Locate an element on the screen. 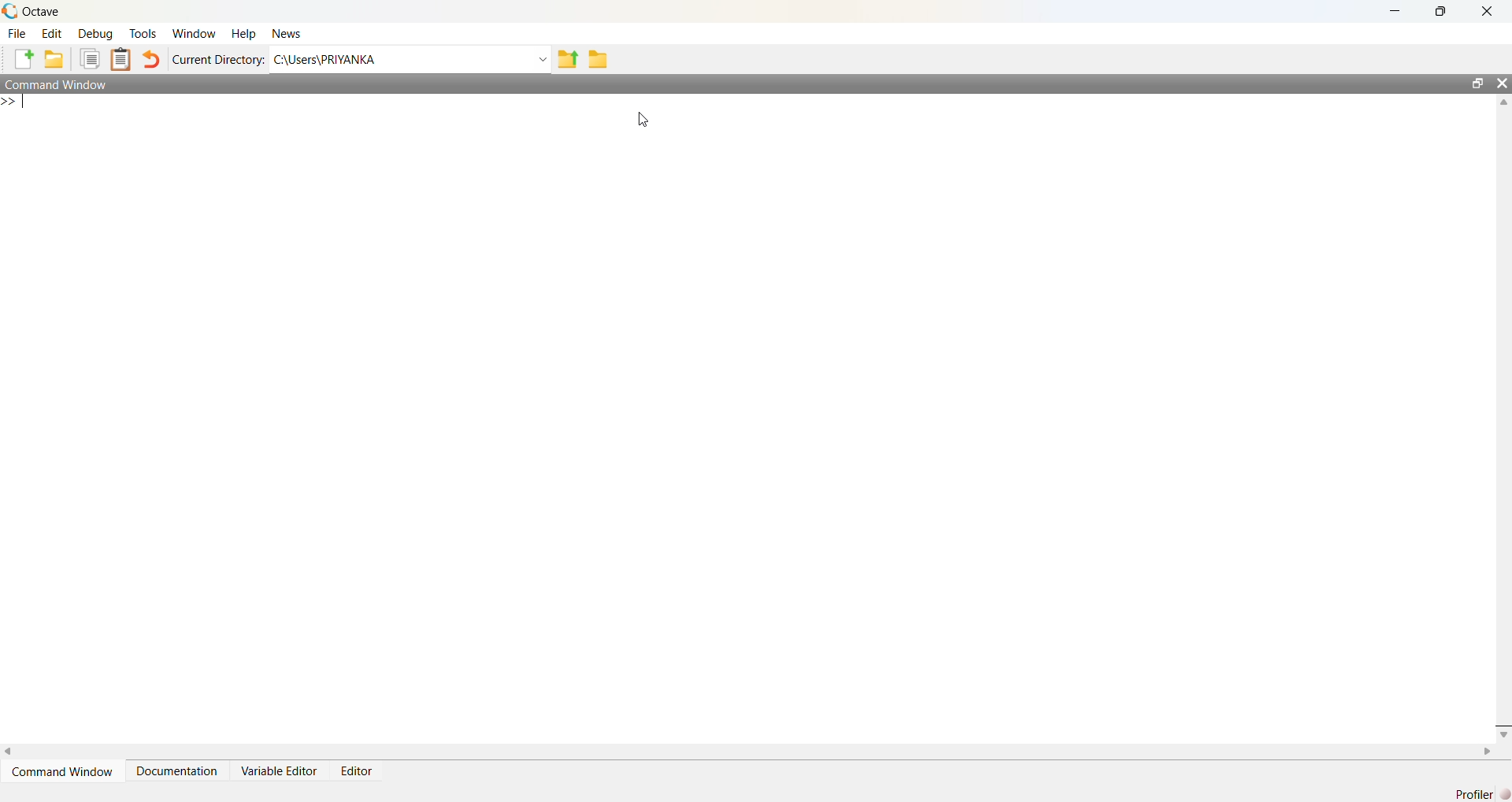 The height and width of the screenshot is (802, 1512). C:\Users\PRIYANKA is located at coordinates (396, 59).